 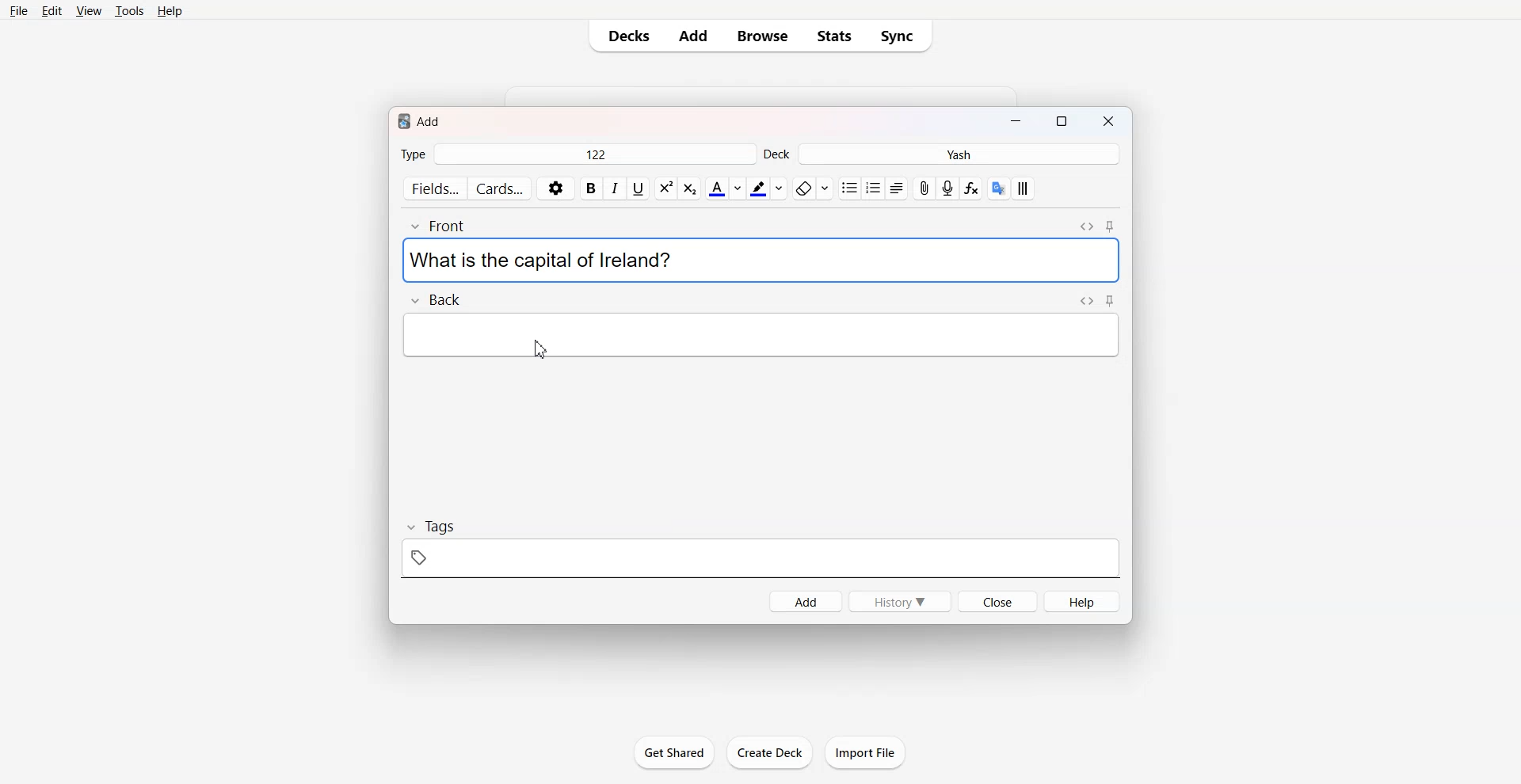 I want to click on back input field, so click(x=760, y=334).